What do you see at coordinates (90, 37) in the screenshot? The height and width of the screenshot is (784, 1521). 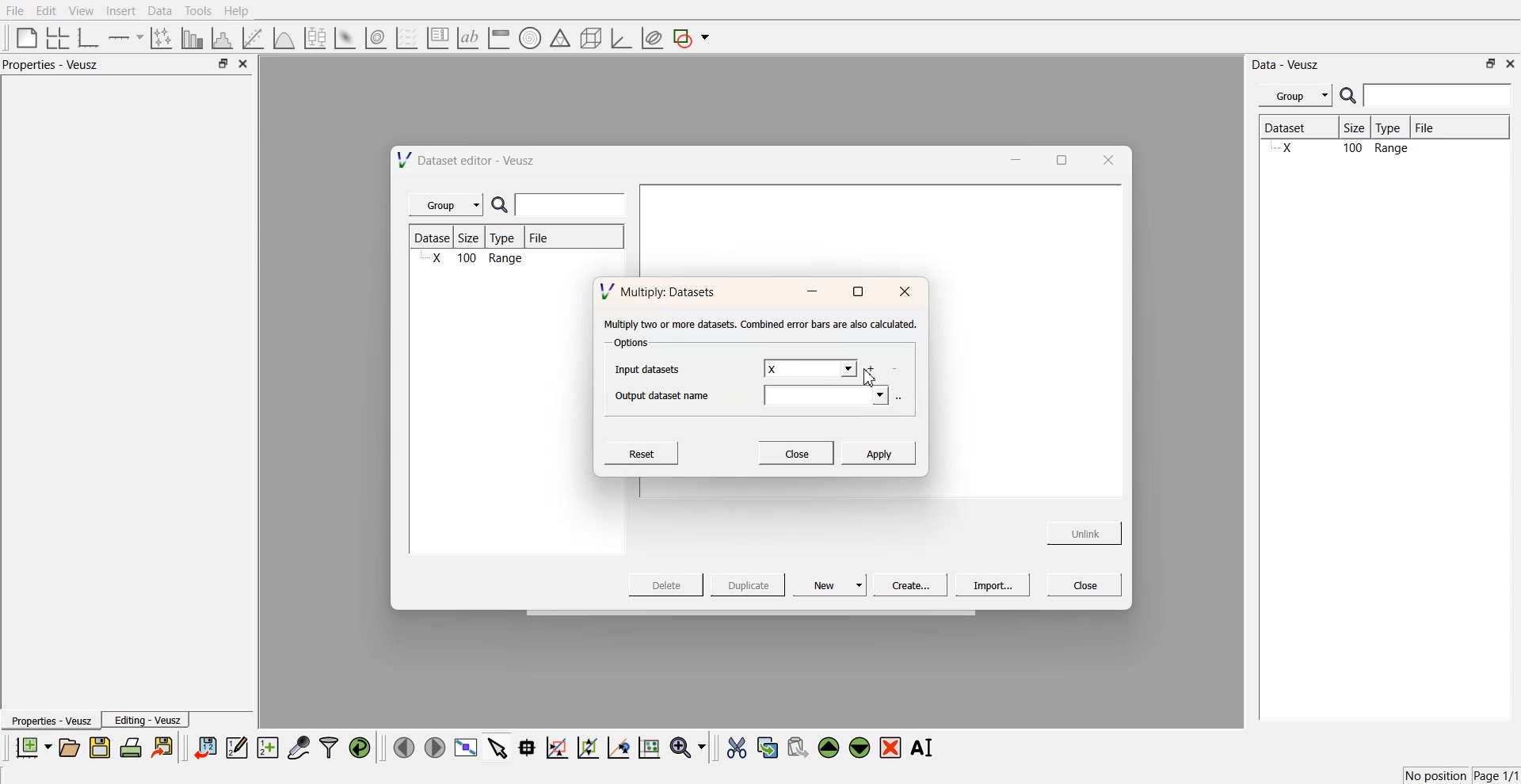 I see `base graphs` at bounding box center [90, 37].